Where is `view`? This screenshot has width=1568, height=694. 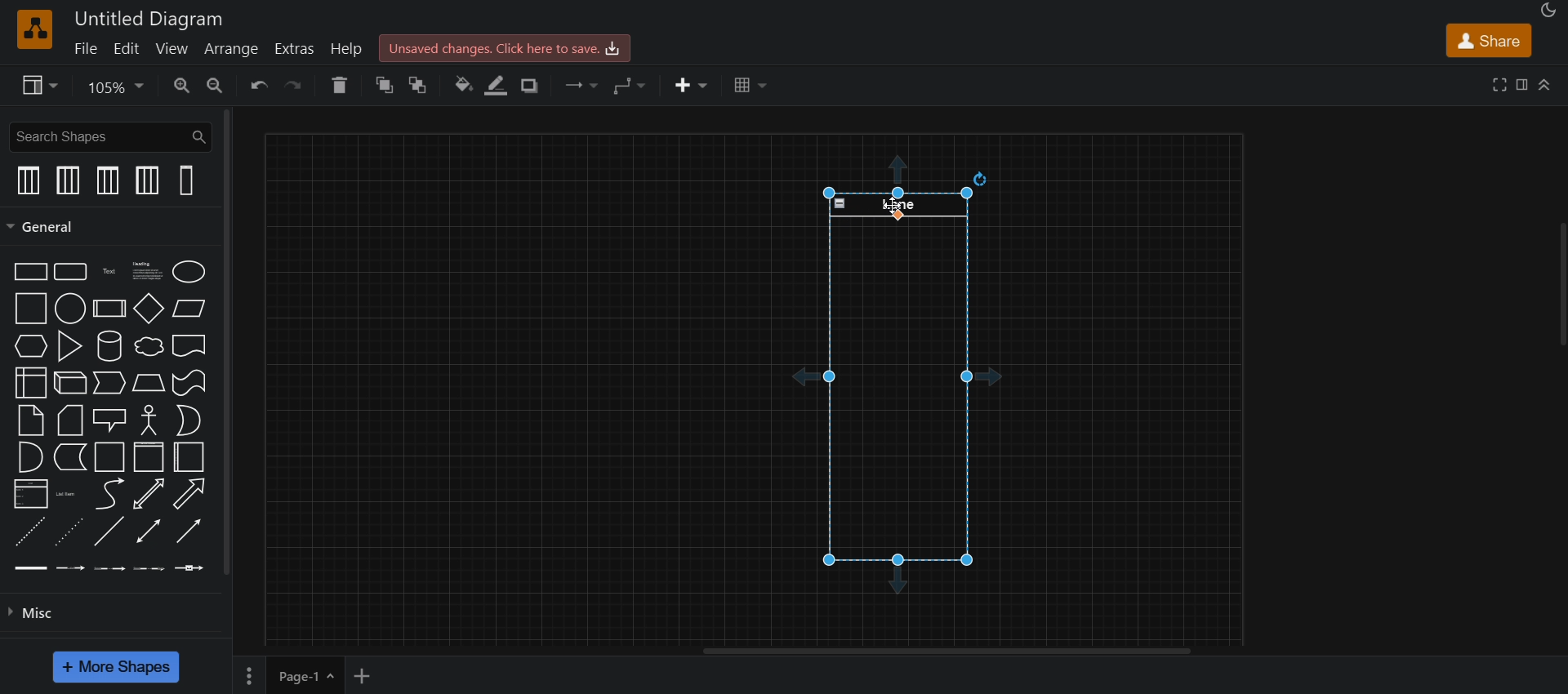
view is located at coordinates (173, 49).